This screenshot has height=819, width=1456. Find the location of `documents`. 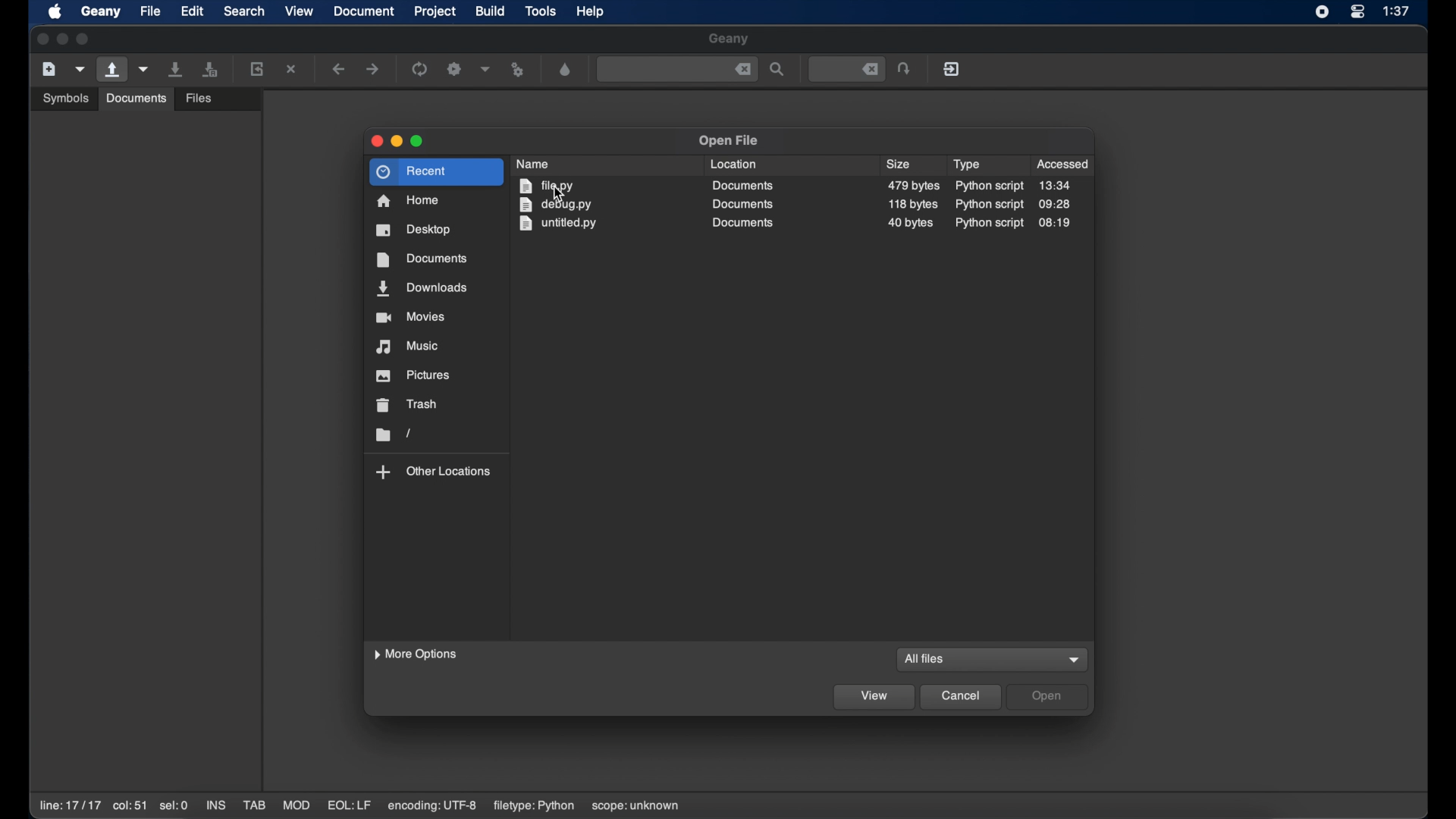

documents is located at coordinates (742, 204).